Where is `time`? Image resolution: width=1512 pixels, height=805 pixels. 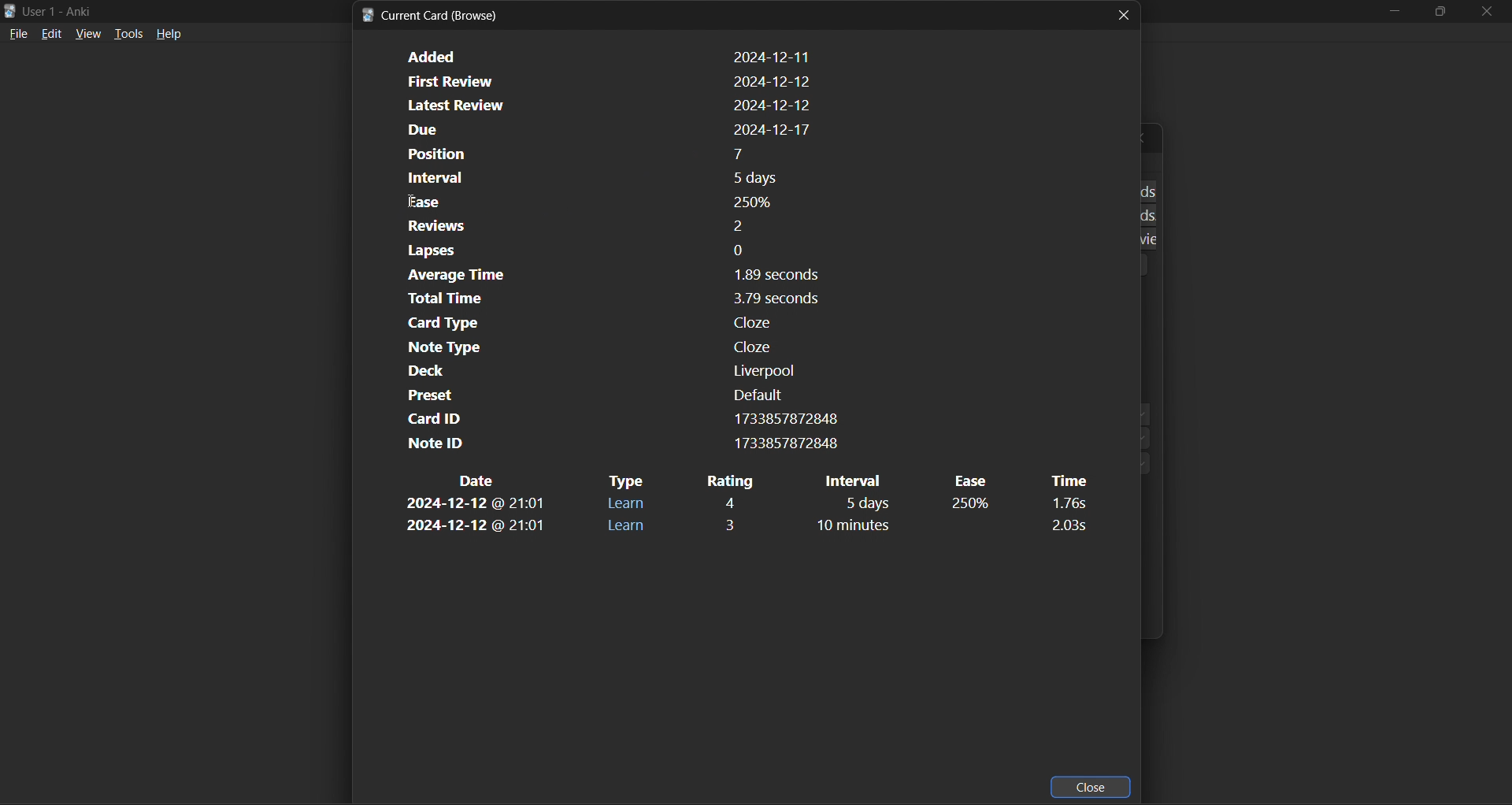 time is located at coordinates (1066, 503).